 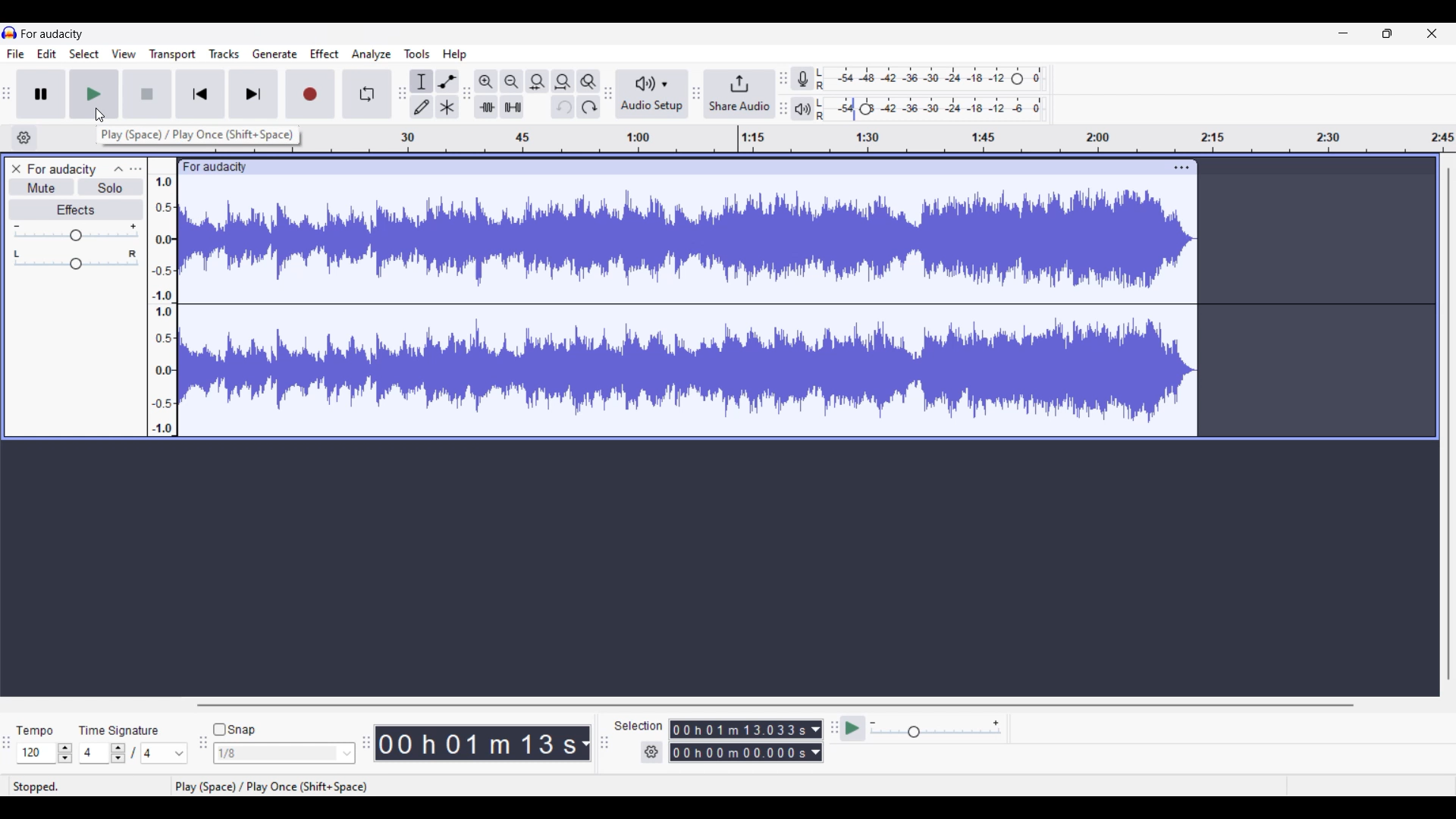 I want to click on Select menu, so click(x=84, y=53).